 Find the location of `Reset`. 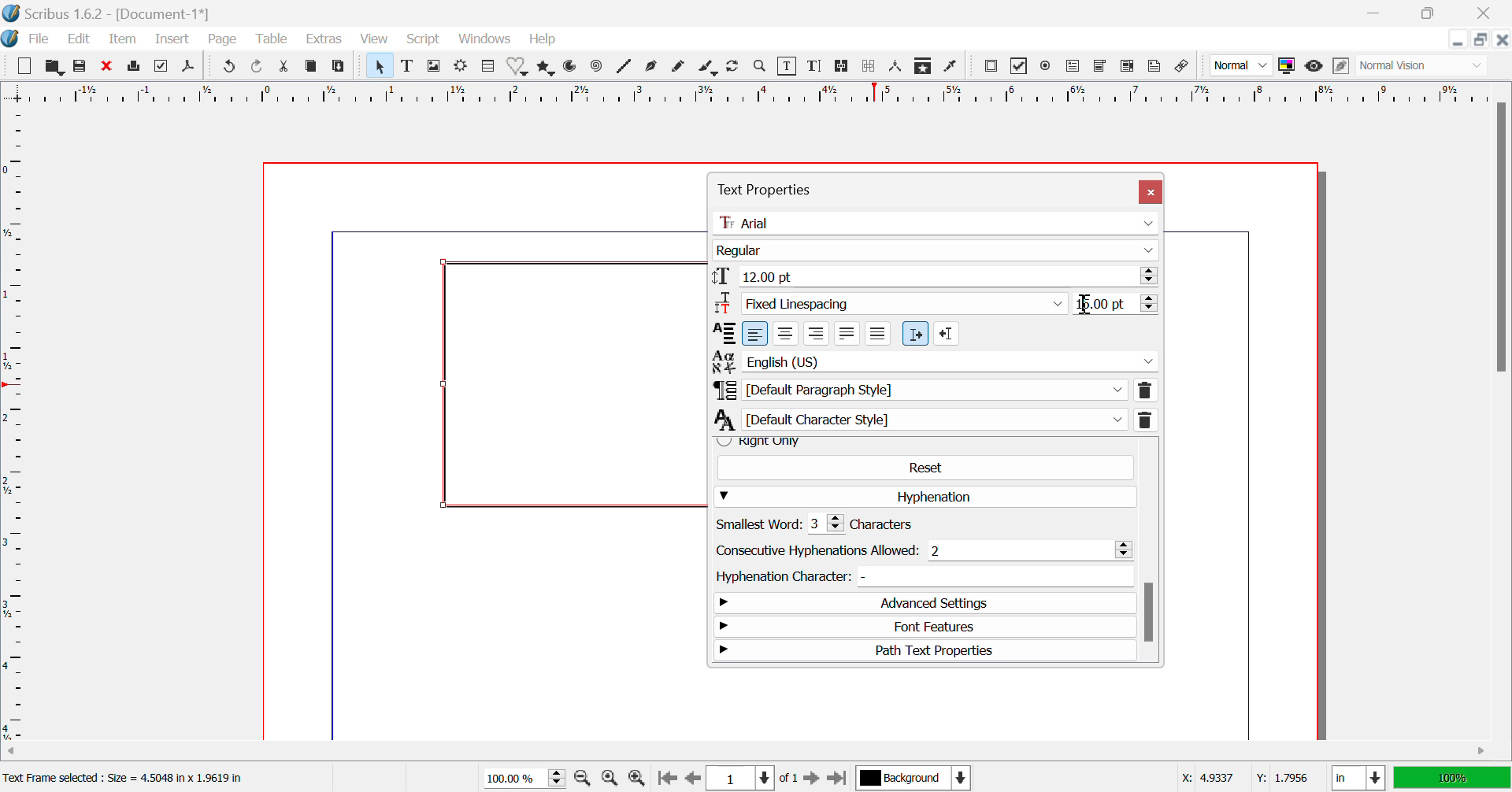

Reset is located at coordinates (925, 467).